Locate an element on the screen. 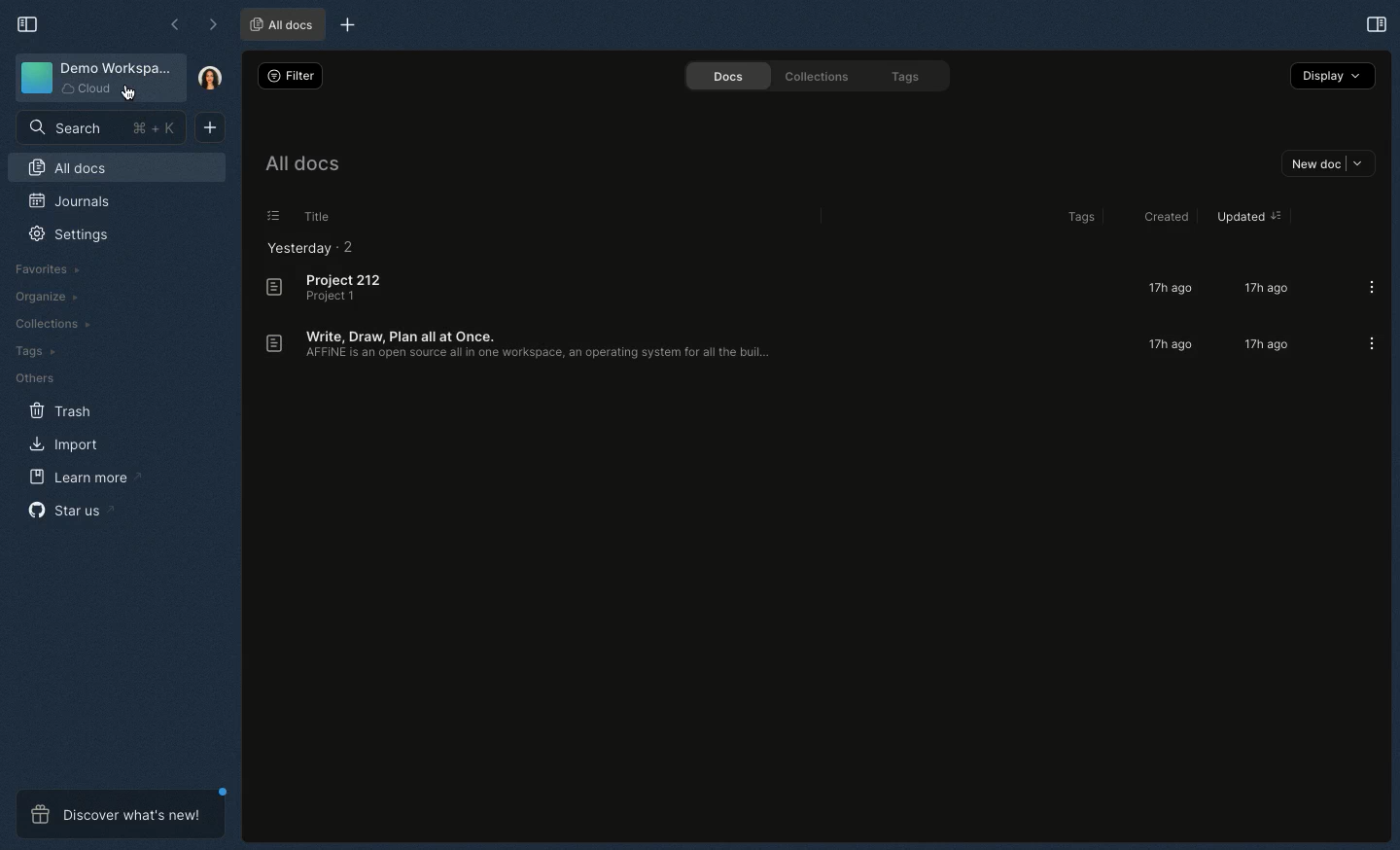 Image resolution: width=1400 pixels, height=850 pixels. 17h ago is located at coordinates (1263, 345).